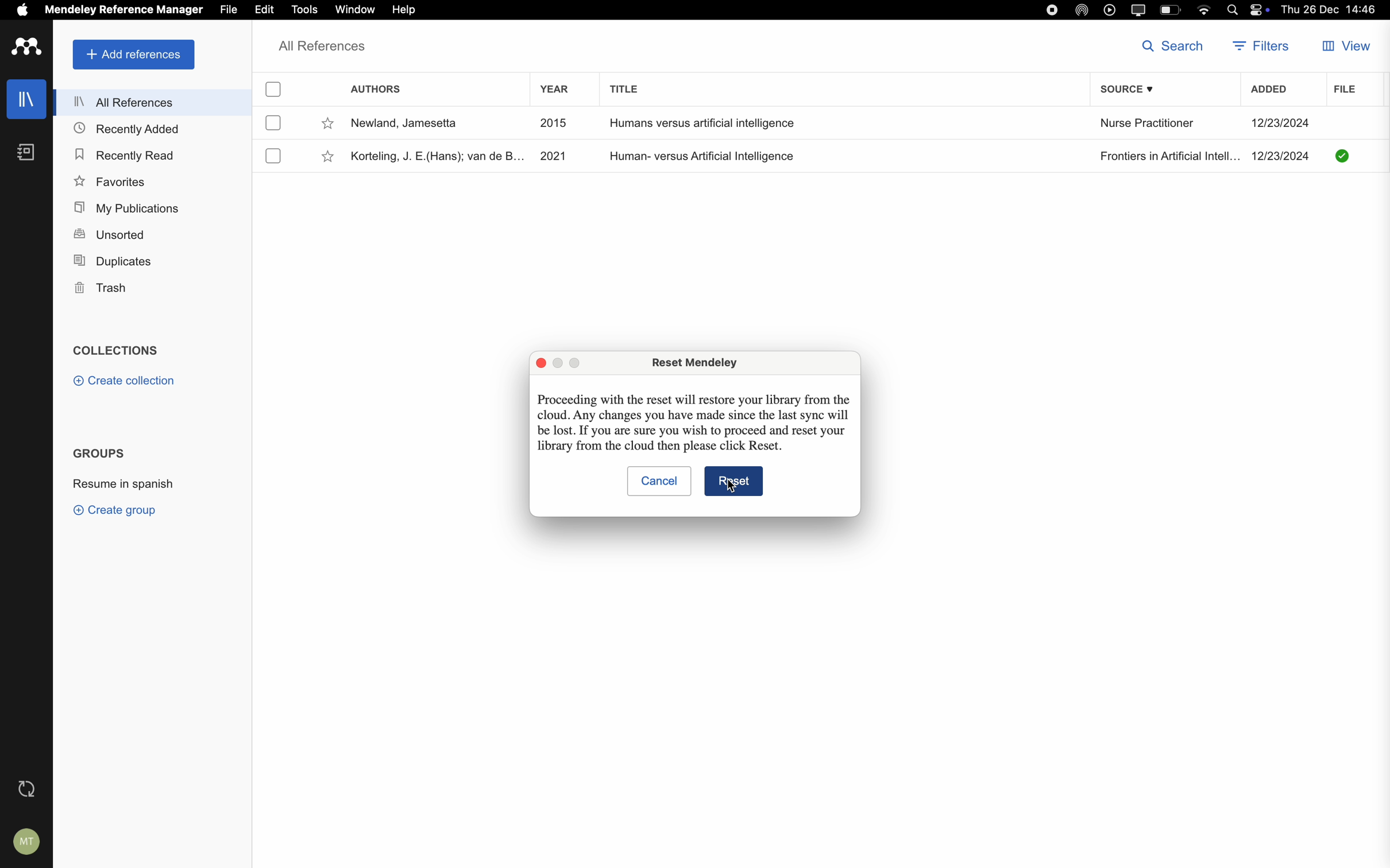 This screenshot has height=868, width=1390. I want to click on cancel, so click(659, 480).